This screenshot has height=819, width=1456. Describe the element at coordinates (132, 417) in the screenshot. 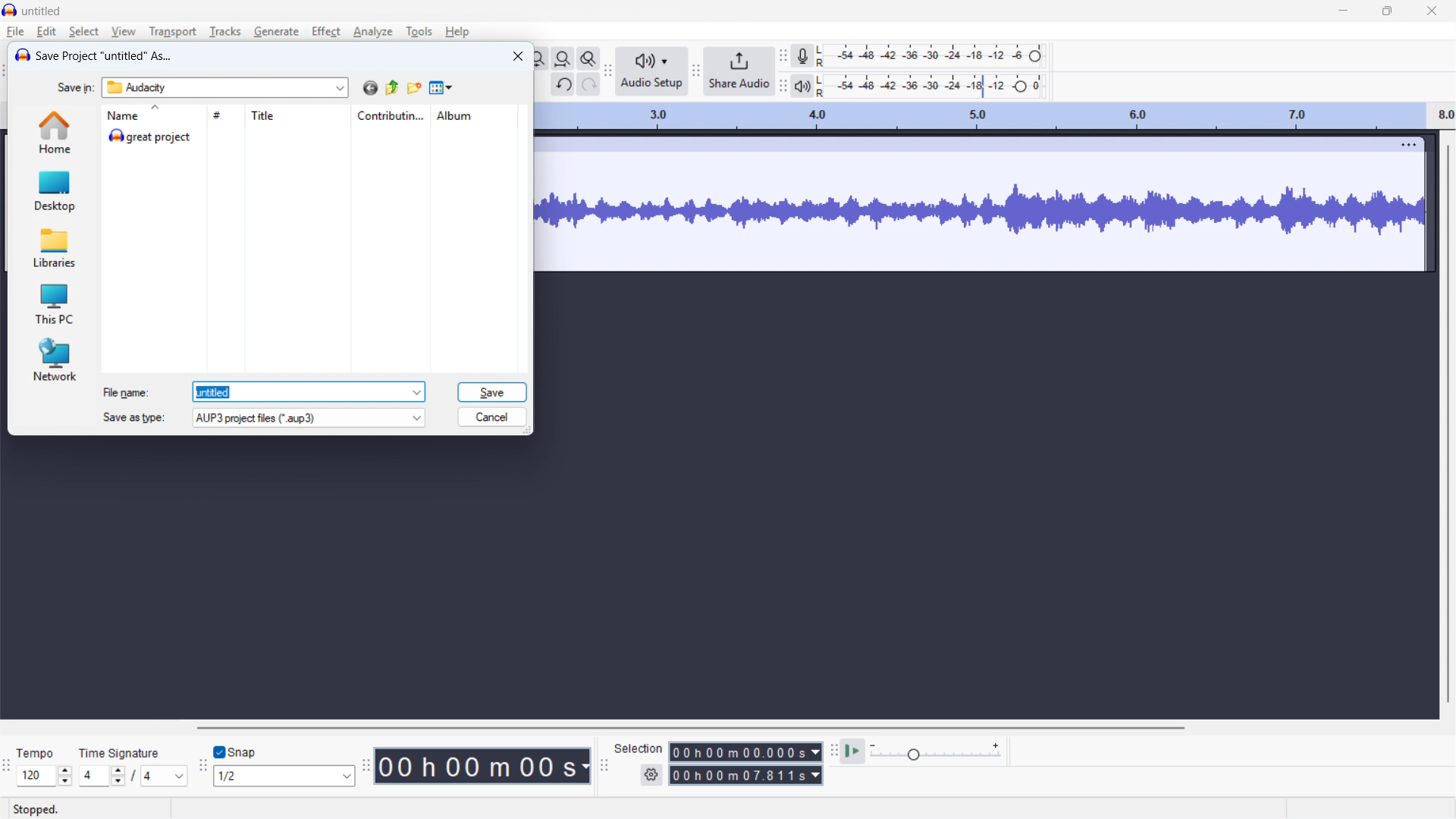

I see `save as type` at that location.